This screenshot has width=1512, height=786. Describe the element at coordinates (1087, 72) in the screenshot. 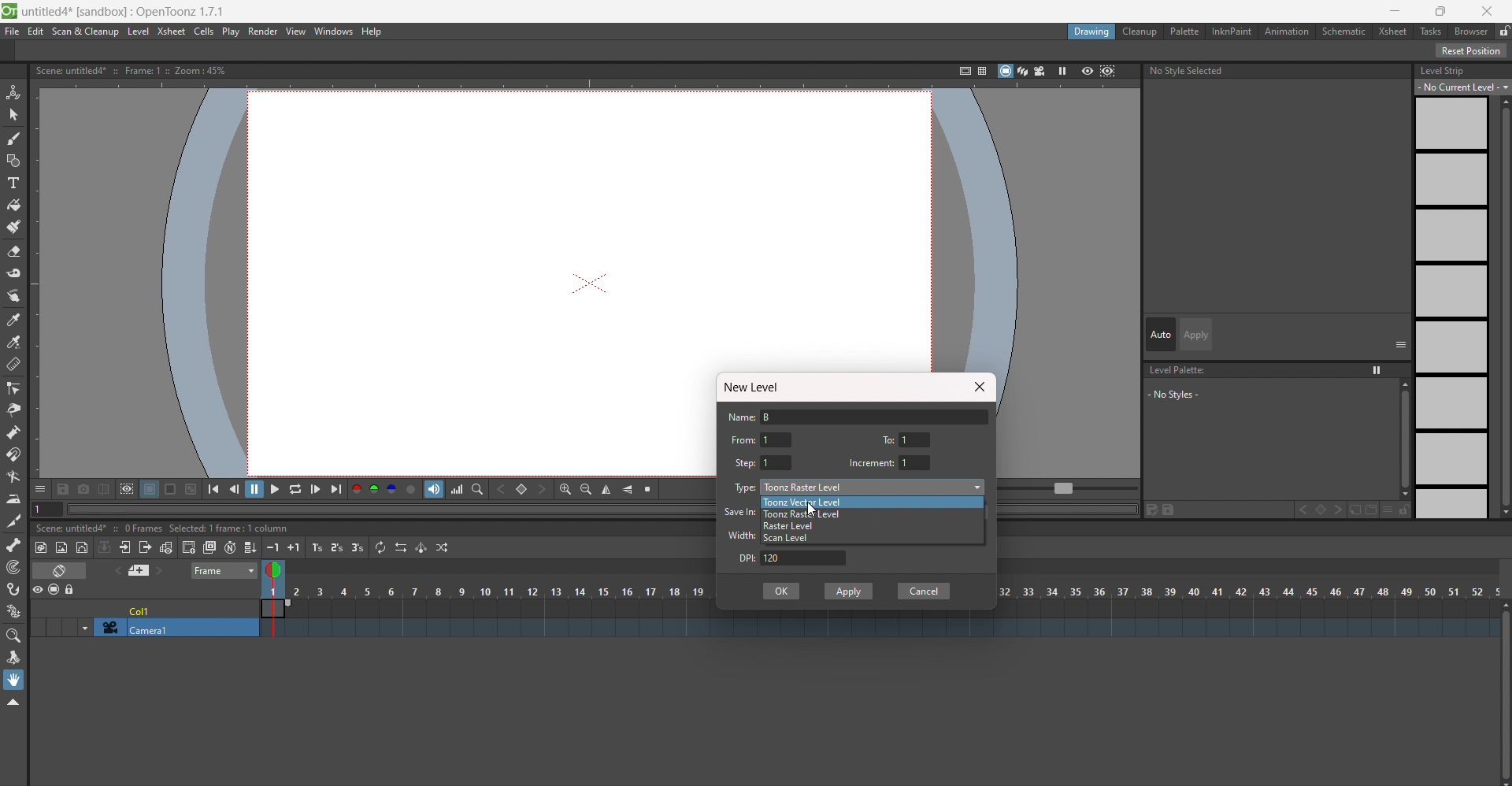

I see `preview` at that location.